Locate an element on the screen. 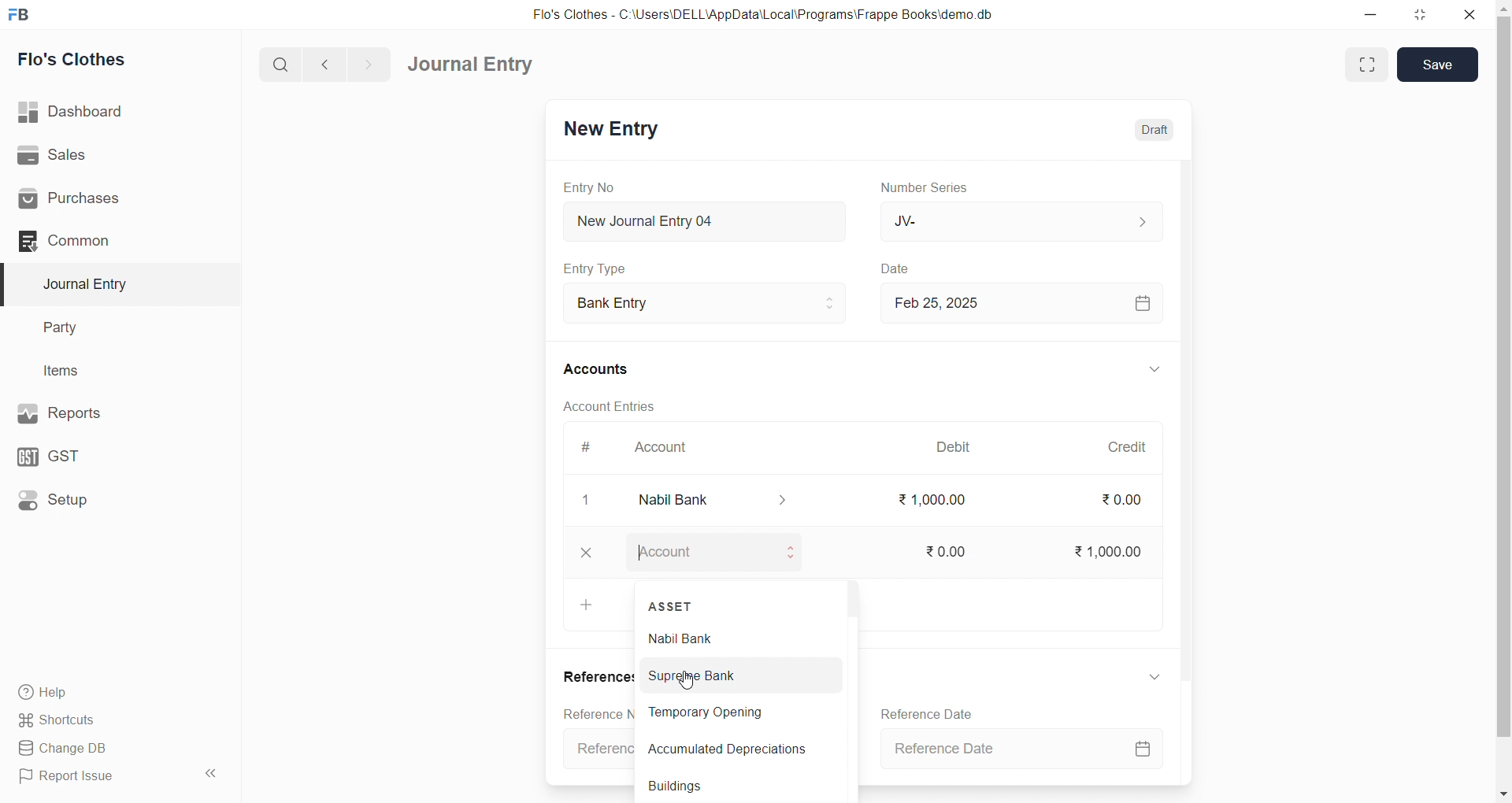  Bank Entry is located at coordinates (712, 304).